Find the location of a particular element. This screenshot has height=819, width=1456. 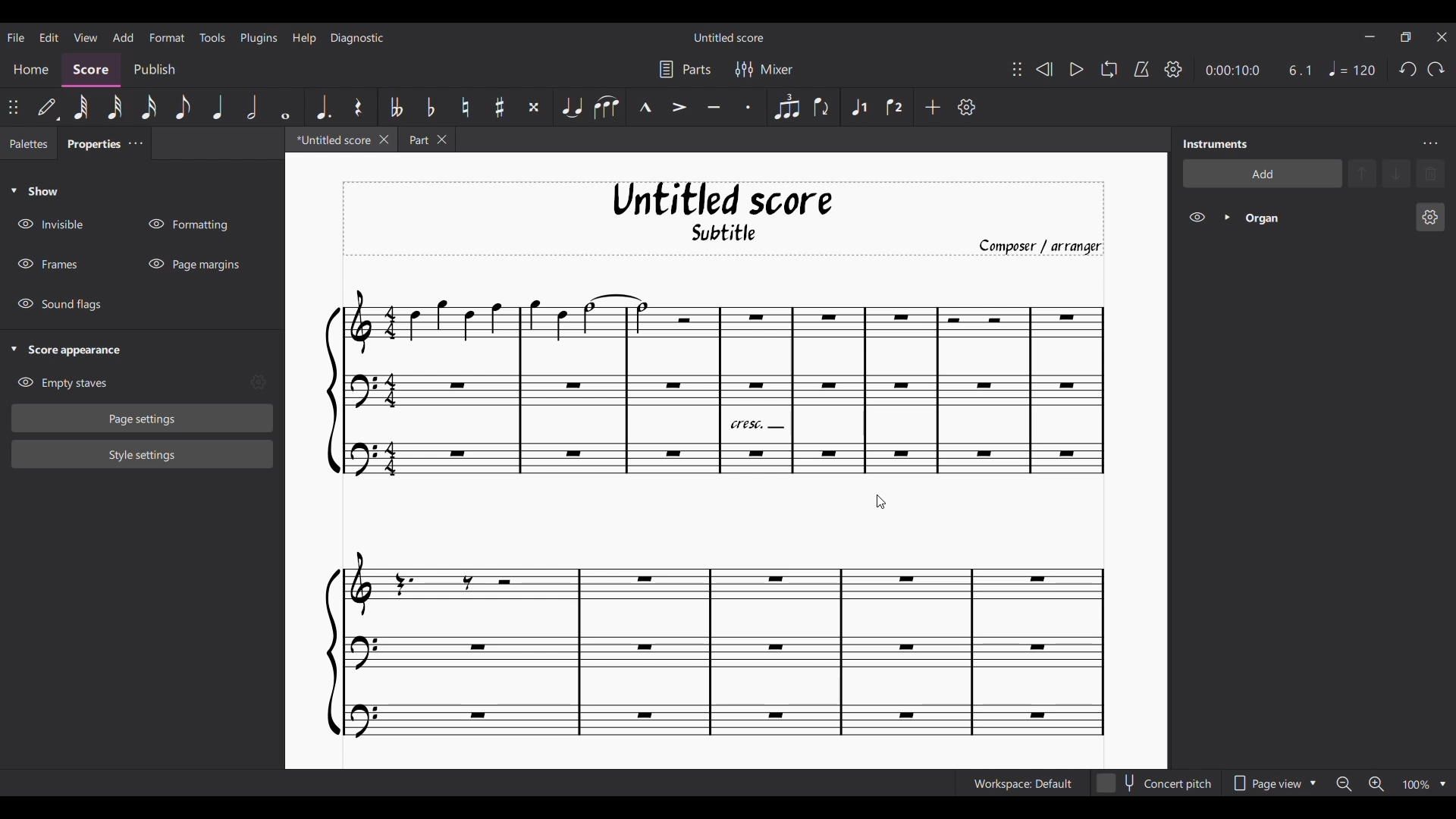

Slur is located at coordinates (606, 107).